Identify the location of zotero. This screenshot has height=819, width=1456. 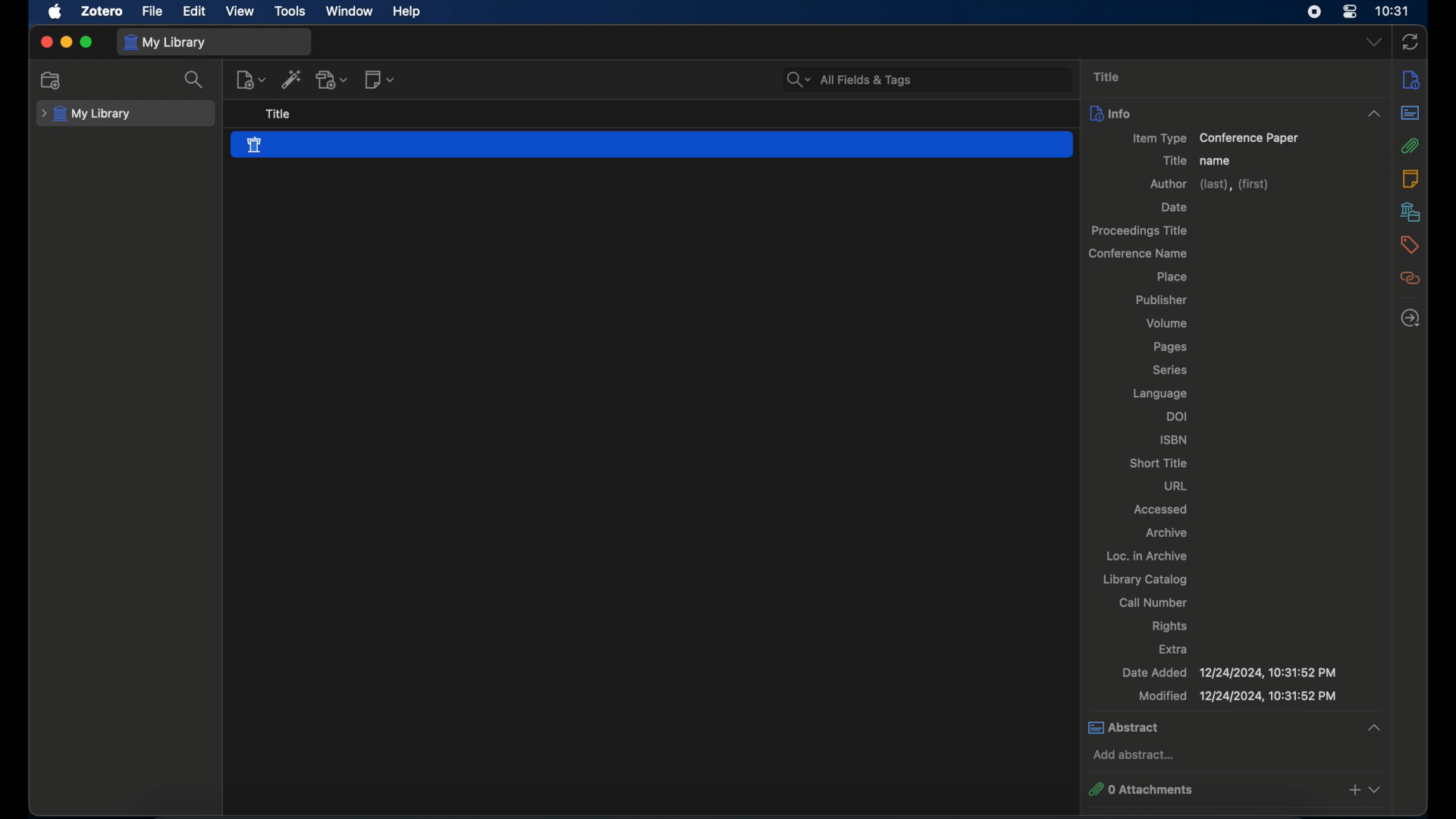
(103, 11).